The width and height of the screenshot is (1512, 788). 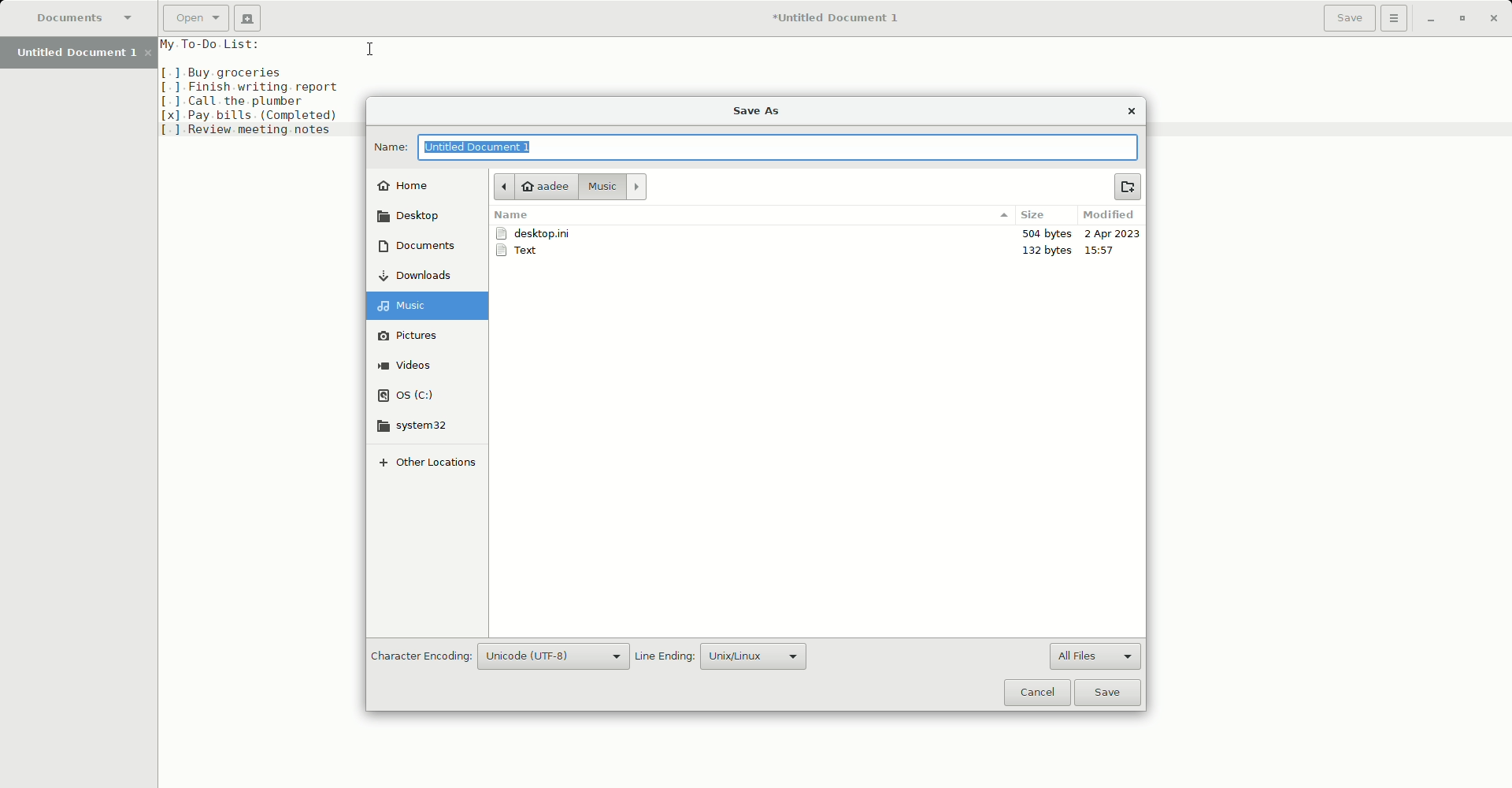 What do you see at coordinates (1036, 693) in the screenshot?
I see `Cancel` at bounding box center [1036, 693].